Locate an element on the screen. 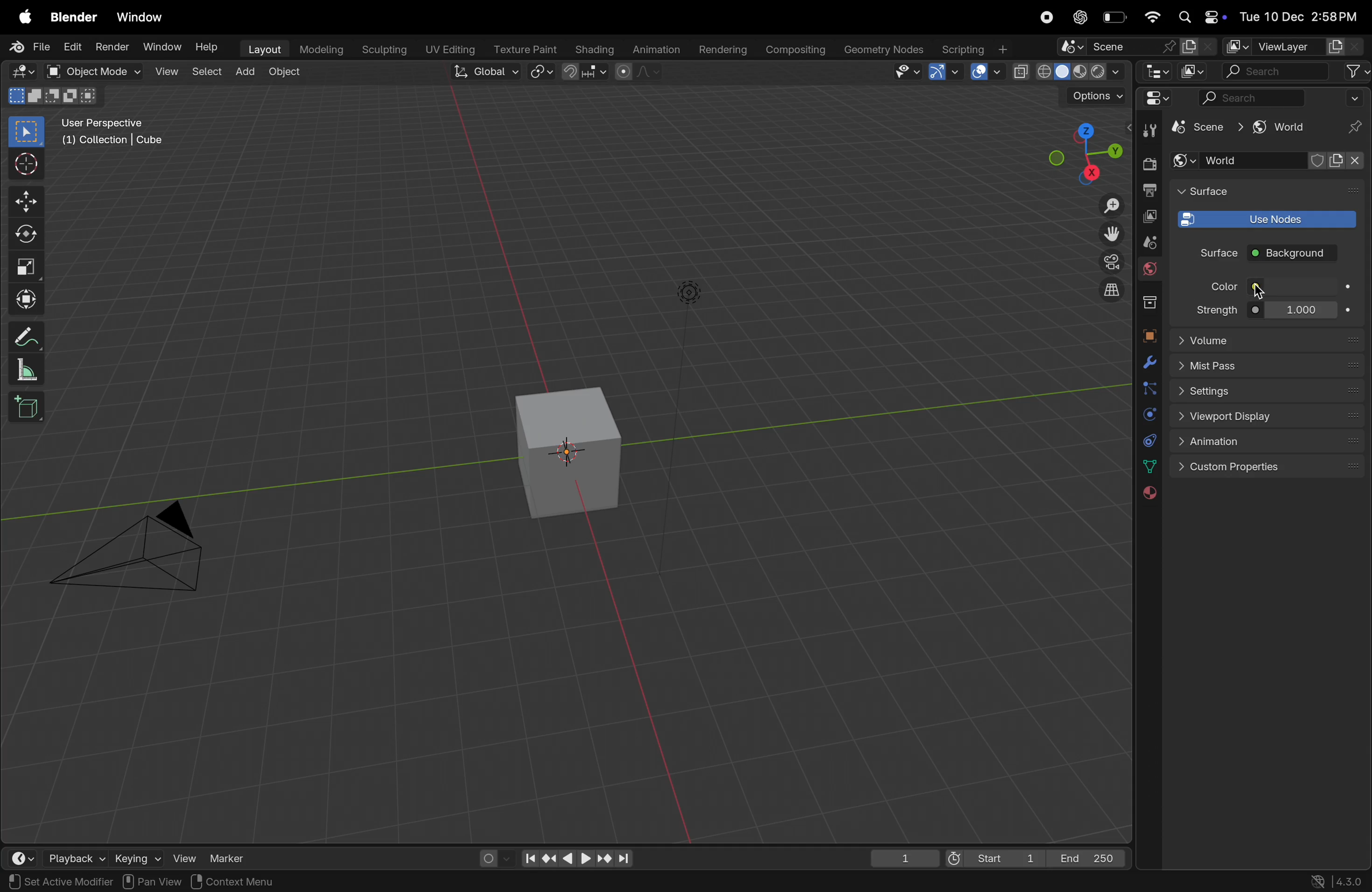 The image size is (1372, 892). use nodes is located at coordinates (1264, 218).